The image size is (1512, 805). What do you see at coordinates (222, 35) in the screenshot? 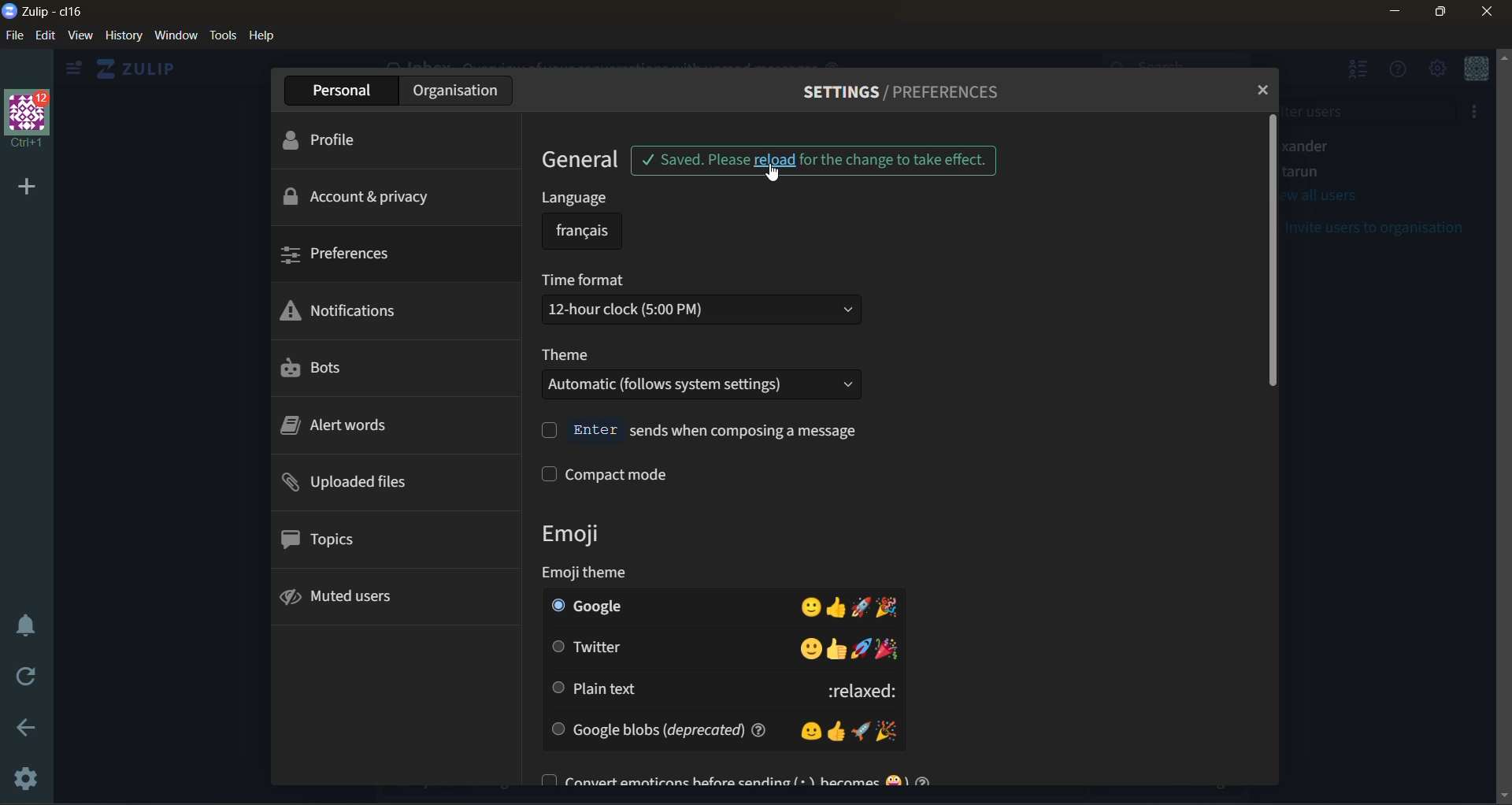
I see `tools` at bounding box center [222, 35].